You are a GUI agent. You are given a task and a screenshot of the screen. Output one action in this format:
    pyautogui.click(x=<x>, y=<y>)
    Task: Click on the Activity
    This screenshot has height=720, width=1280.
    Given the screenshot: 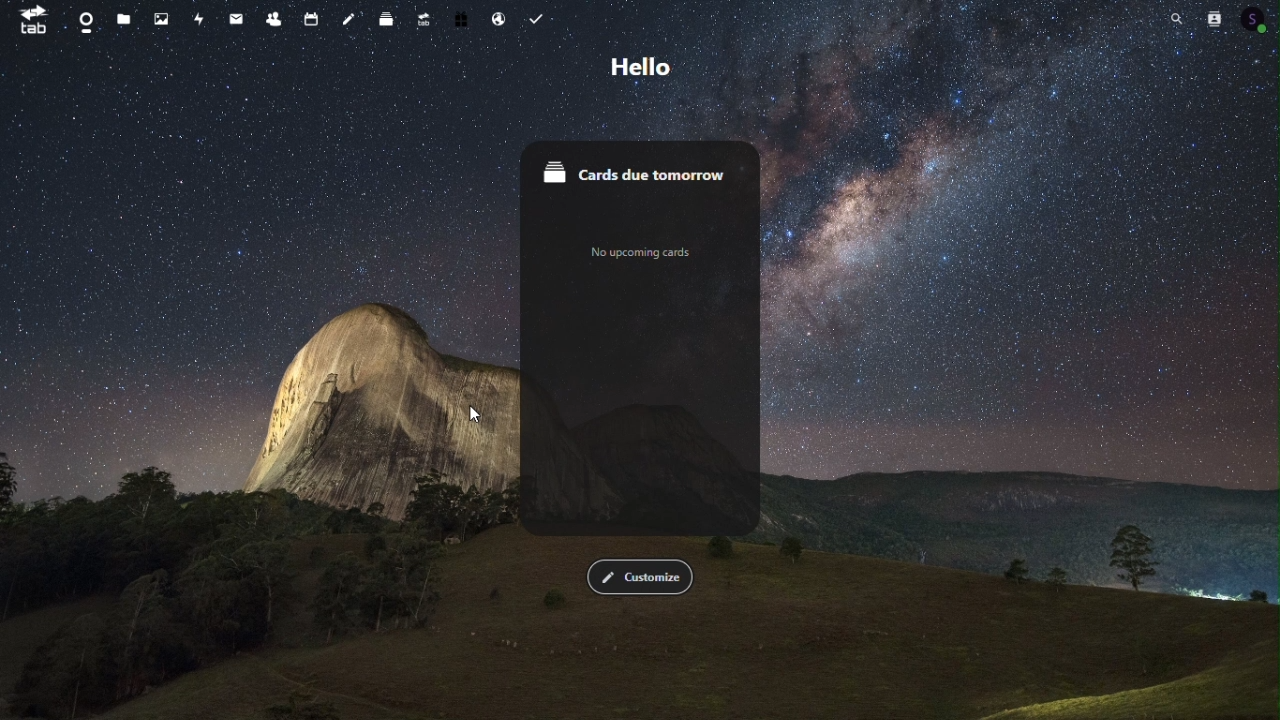 What is the action you would take?
    pyautogui.click(x=197, y=18)
    